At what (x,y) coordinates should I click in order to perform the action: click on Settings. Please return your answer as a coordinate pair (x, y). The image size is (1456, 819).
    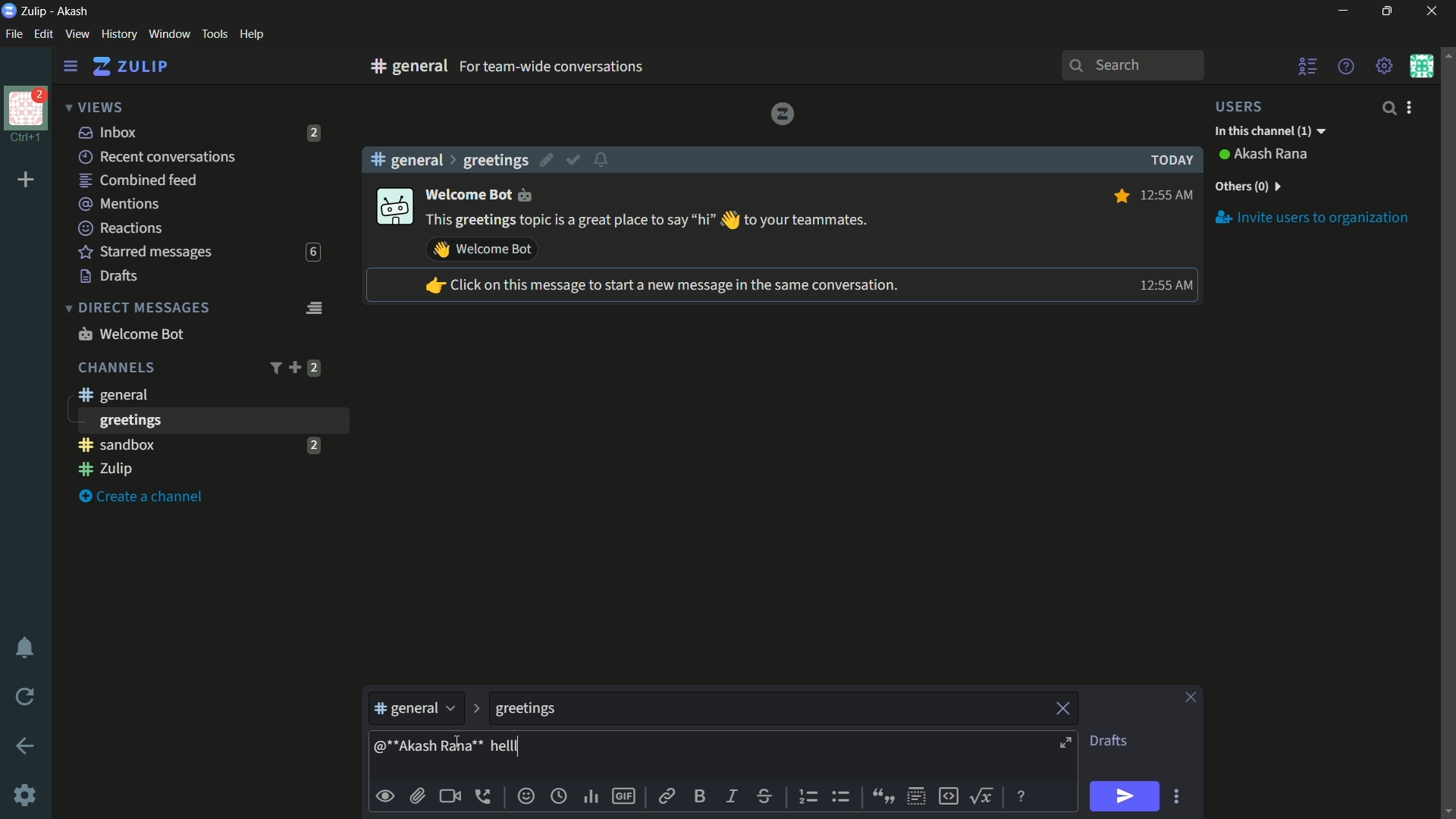
    Looking at the image, I should click on (25, 795).